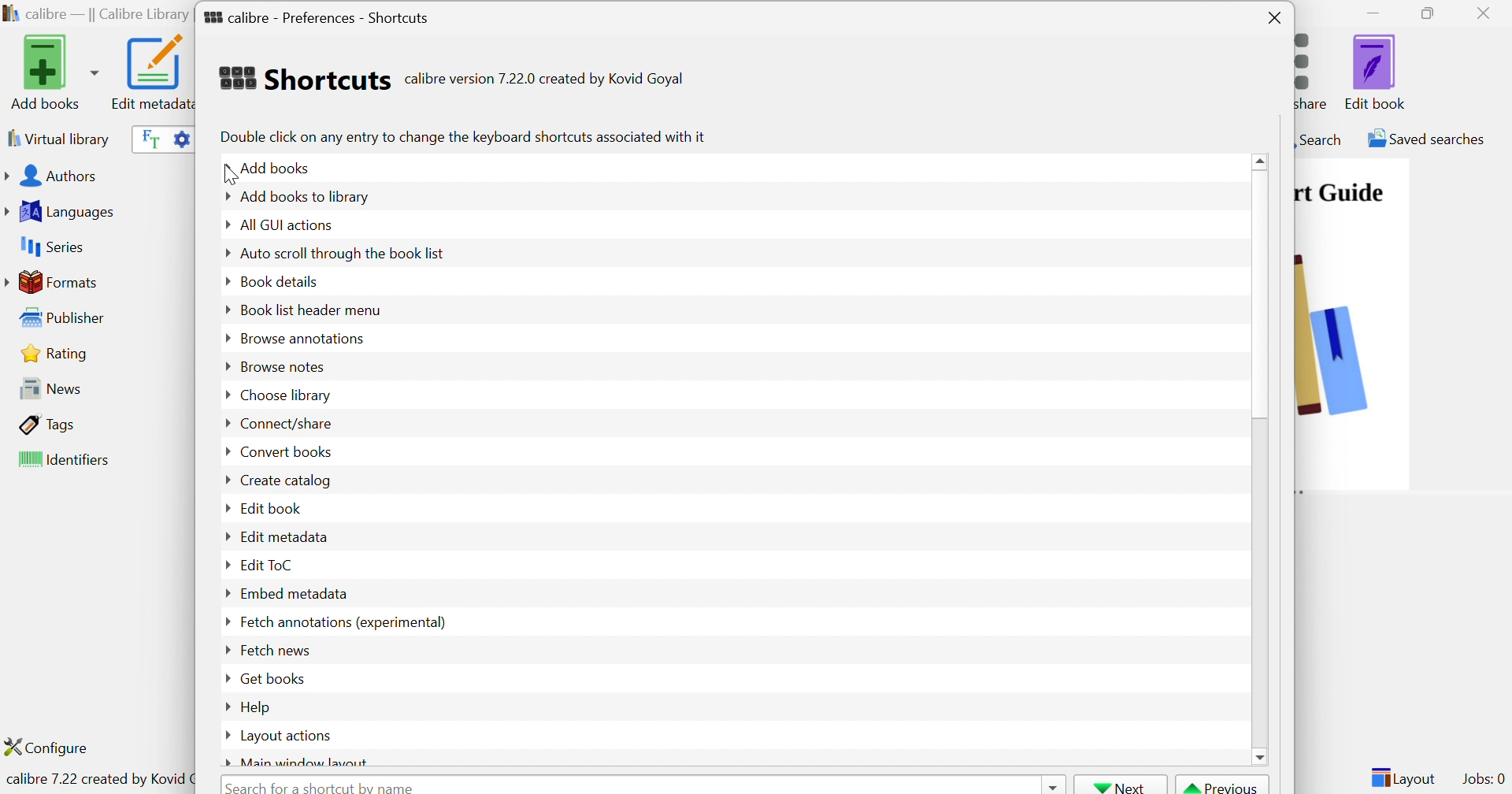 The image size is (1512, 794). Describe the element at coordinates (224, 704) in the screenshot. I see `Drop Down` at that location.